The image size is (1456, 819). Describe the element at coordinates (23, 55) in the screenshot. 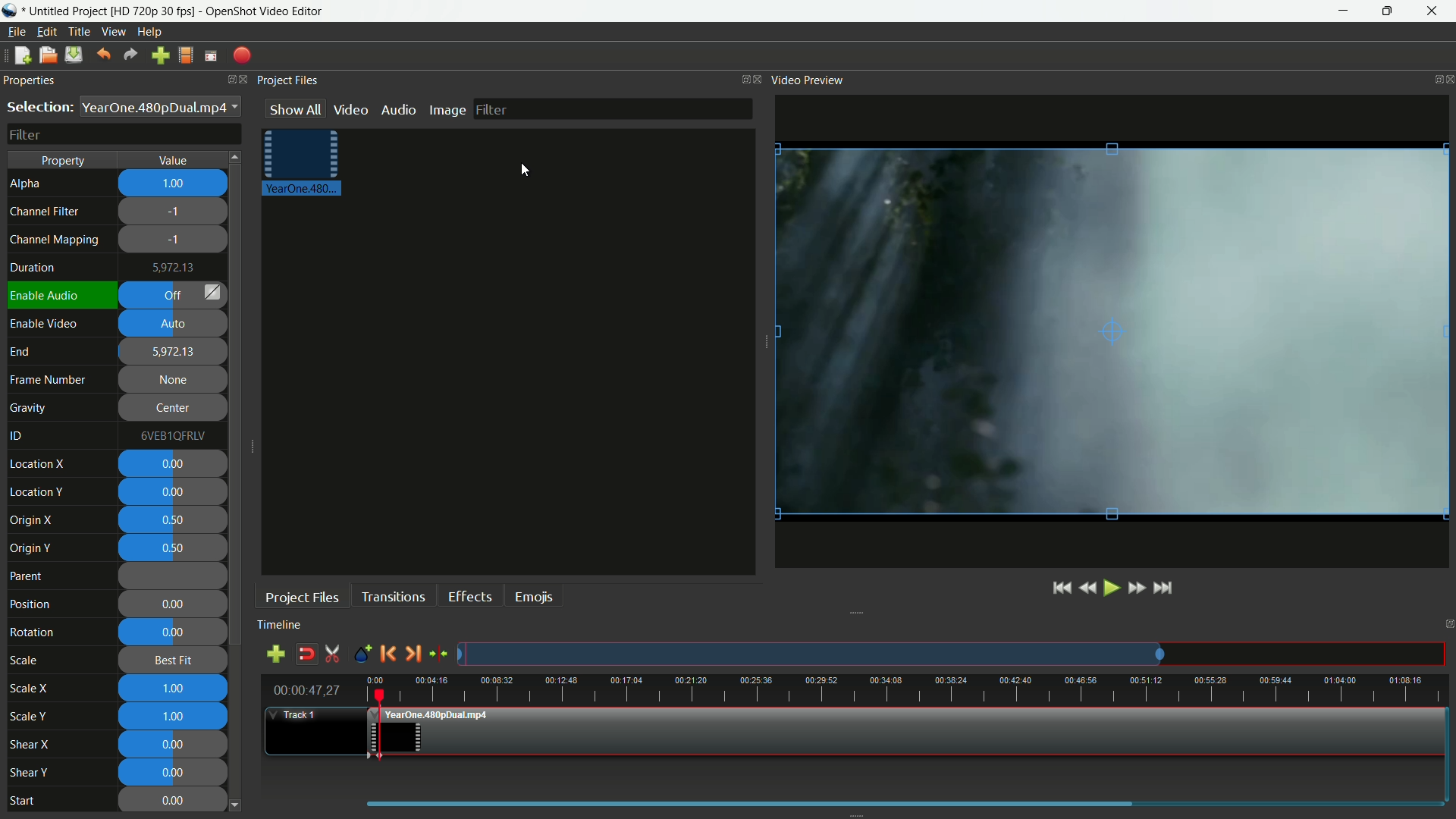

I see `new file` at that location.